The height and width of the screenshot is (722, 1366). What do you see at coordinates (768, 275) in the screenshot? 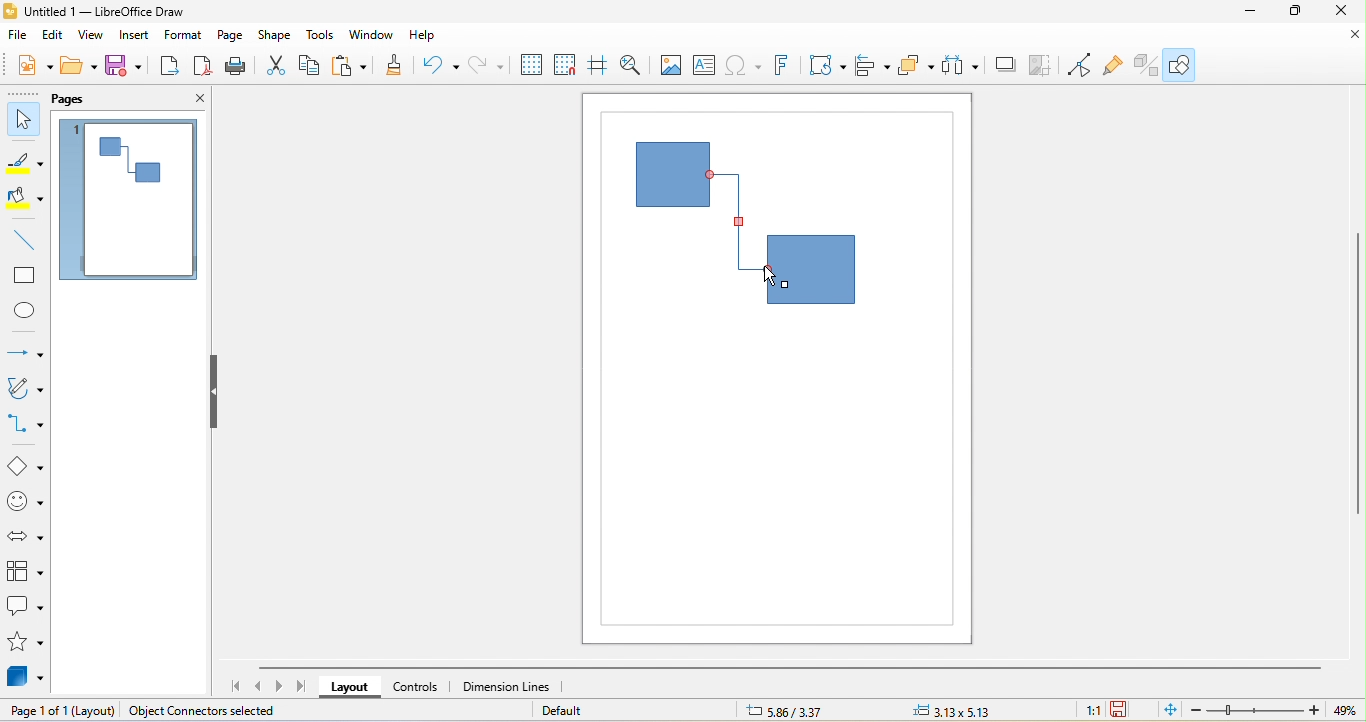
I see `cursor structure changed` at bounding box center [768, 275].